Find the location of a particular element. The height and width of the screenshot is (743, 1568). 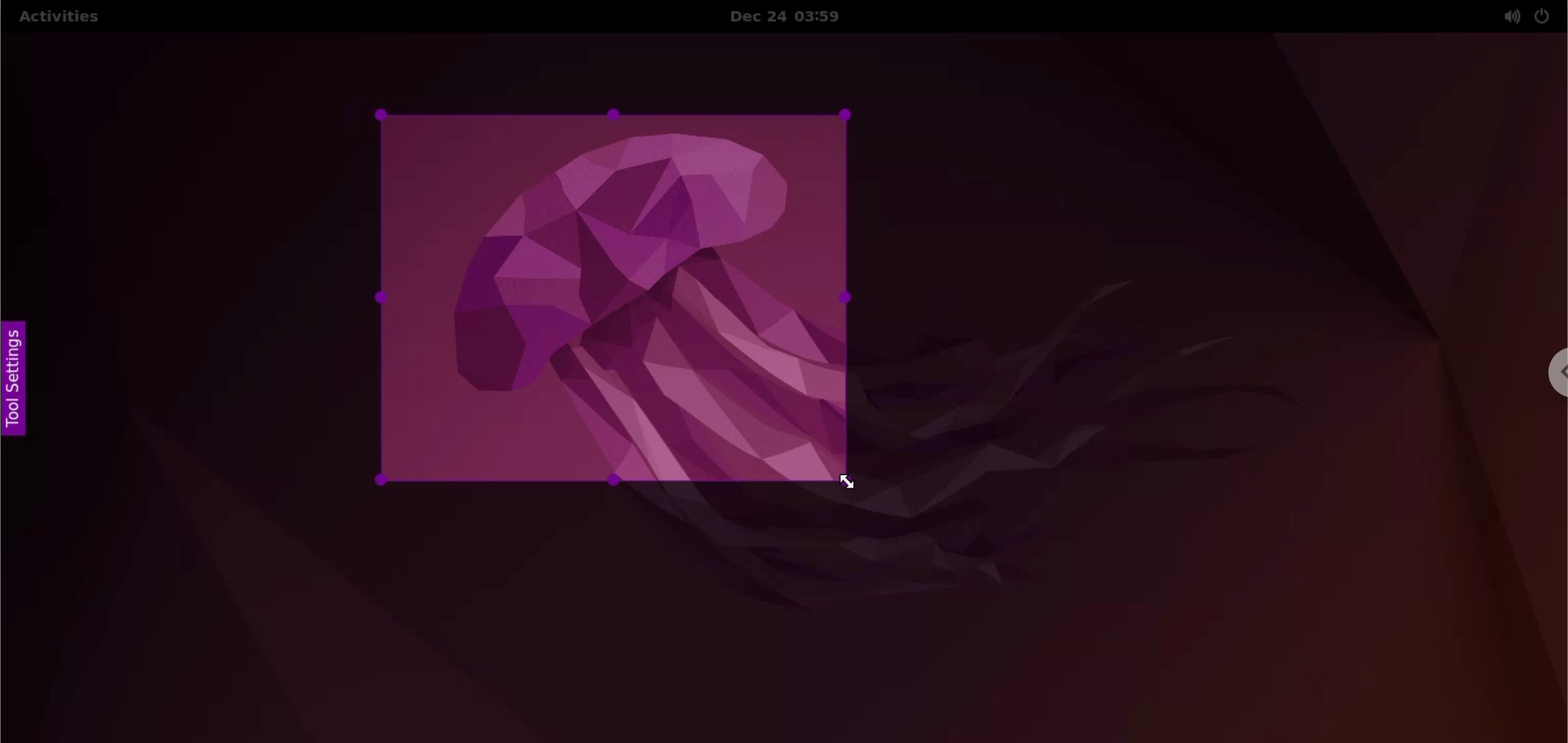

power options  is located at coordinates (1545, 15).